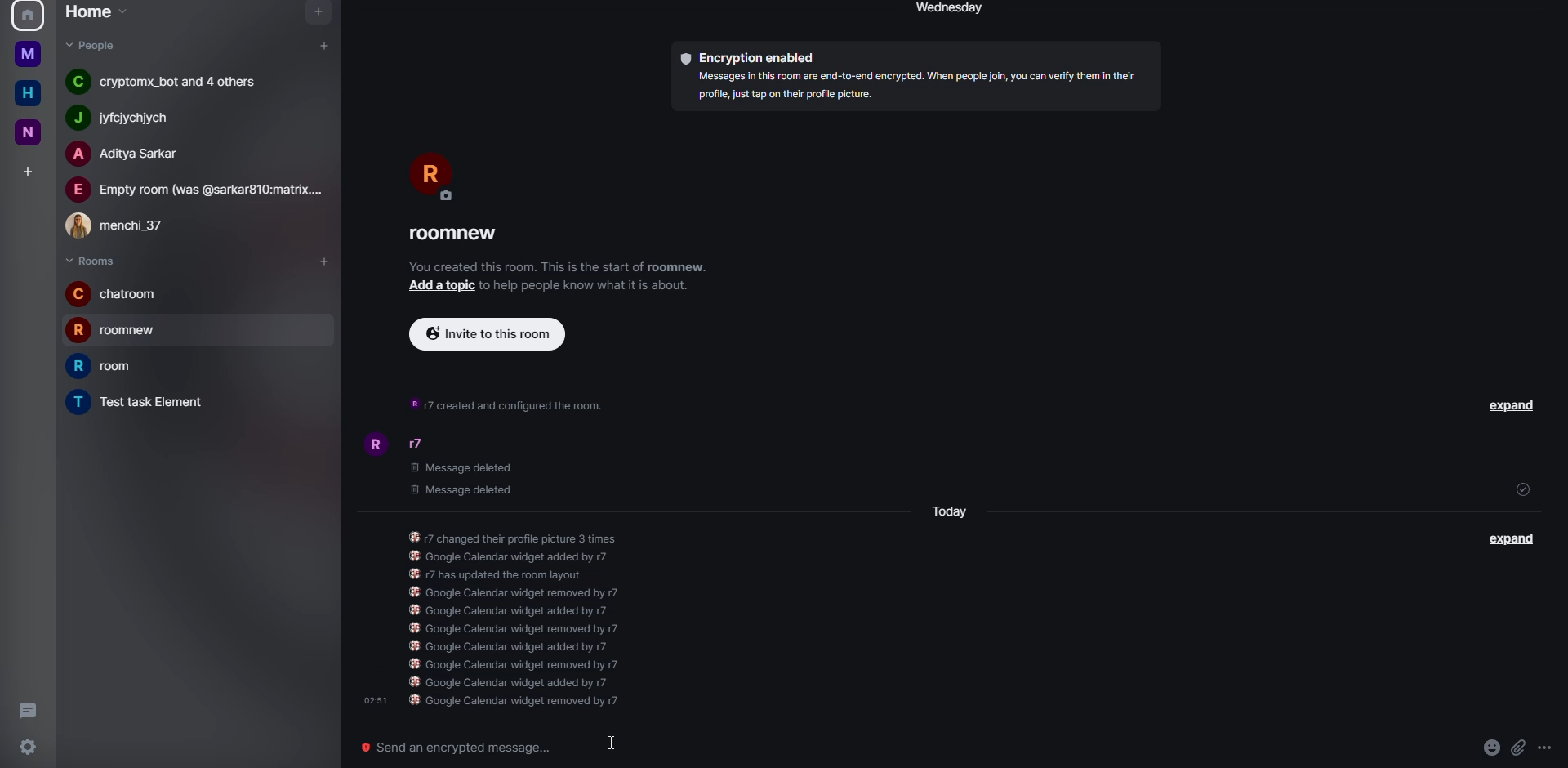  What do you see at coordinates (27, 712) in the screenshot?
I see `threads` at bounding box center [27, 712].